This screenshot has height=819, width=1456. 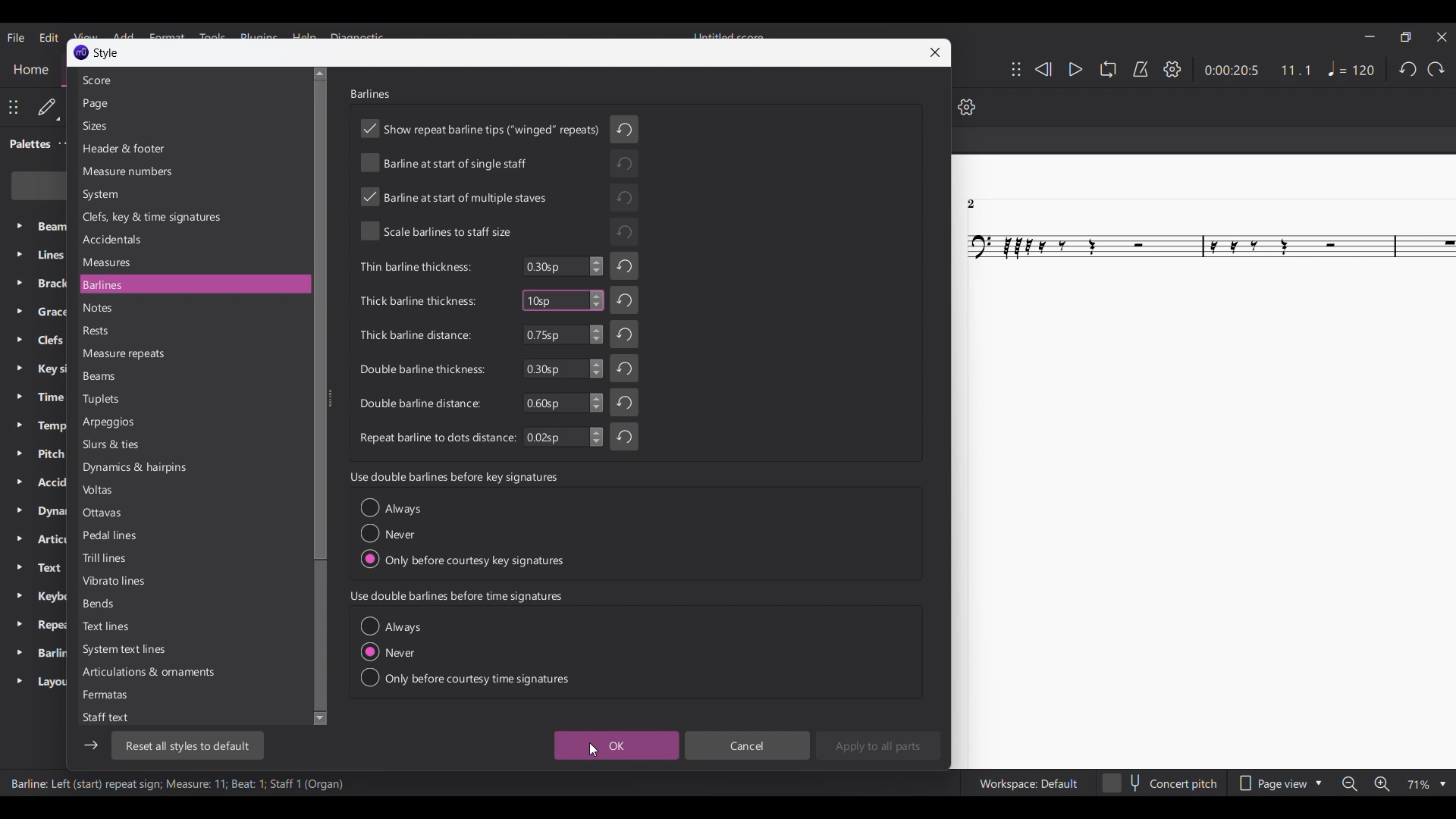 What do you see at coordinates (82, 52) in the screenshot?
I see `Music Logo` at bounding box center [82, 52].